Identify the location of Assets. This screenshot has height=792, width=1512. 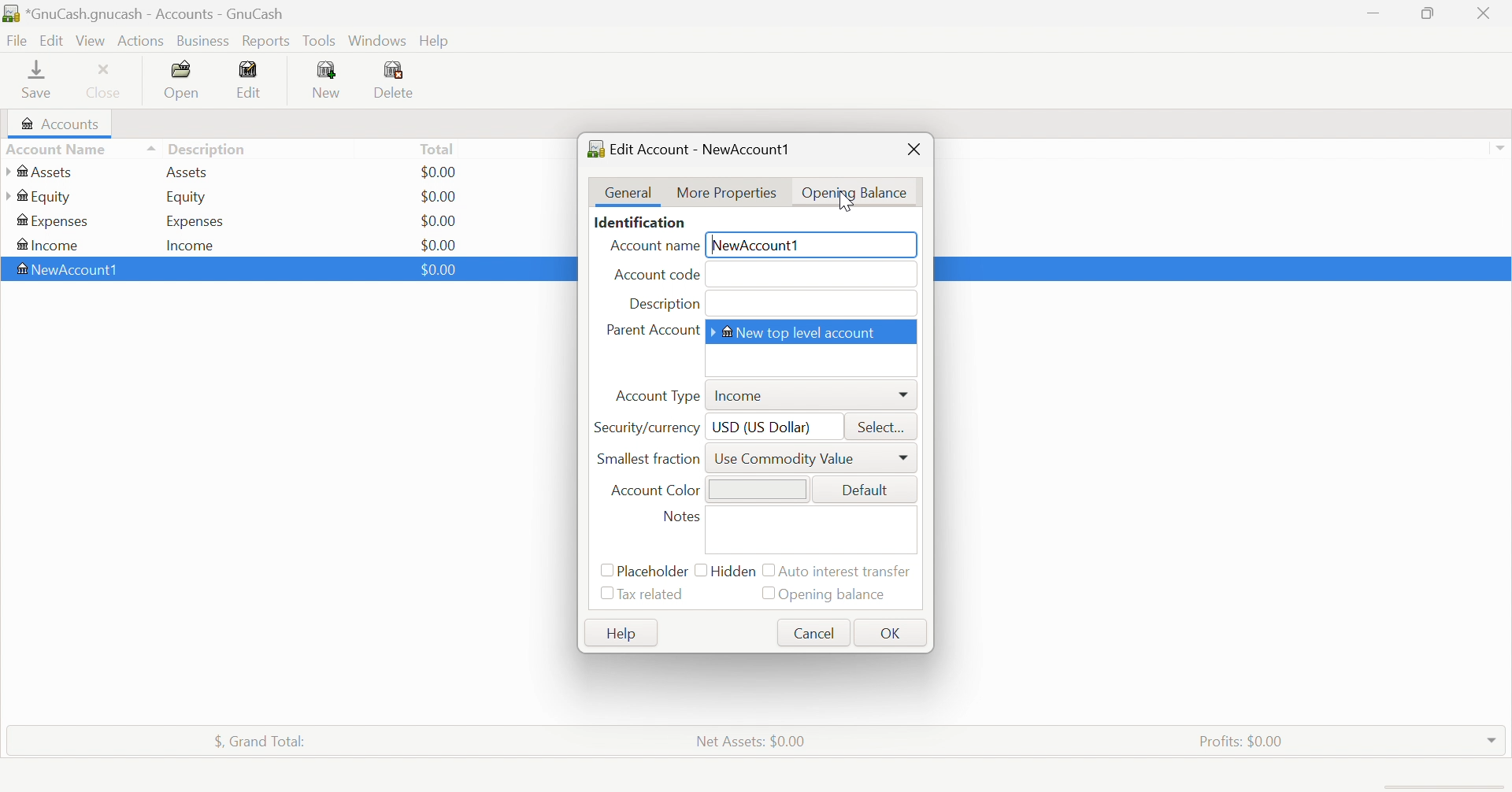
(193, 172).